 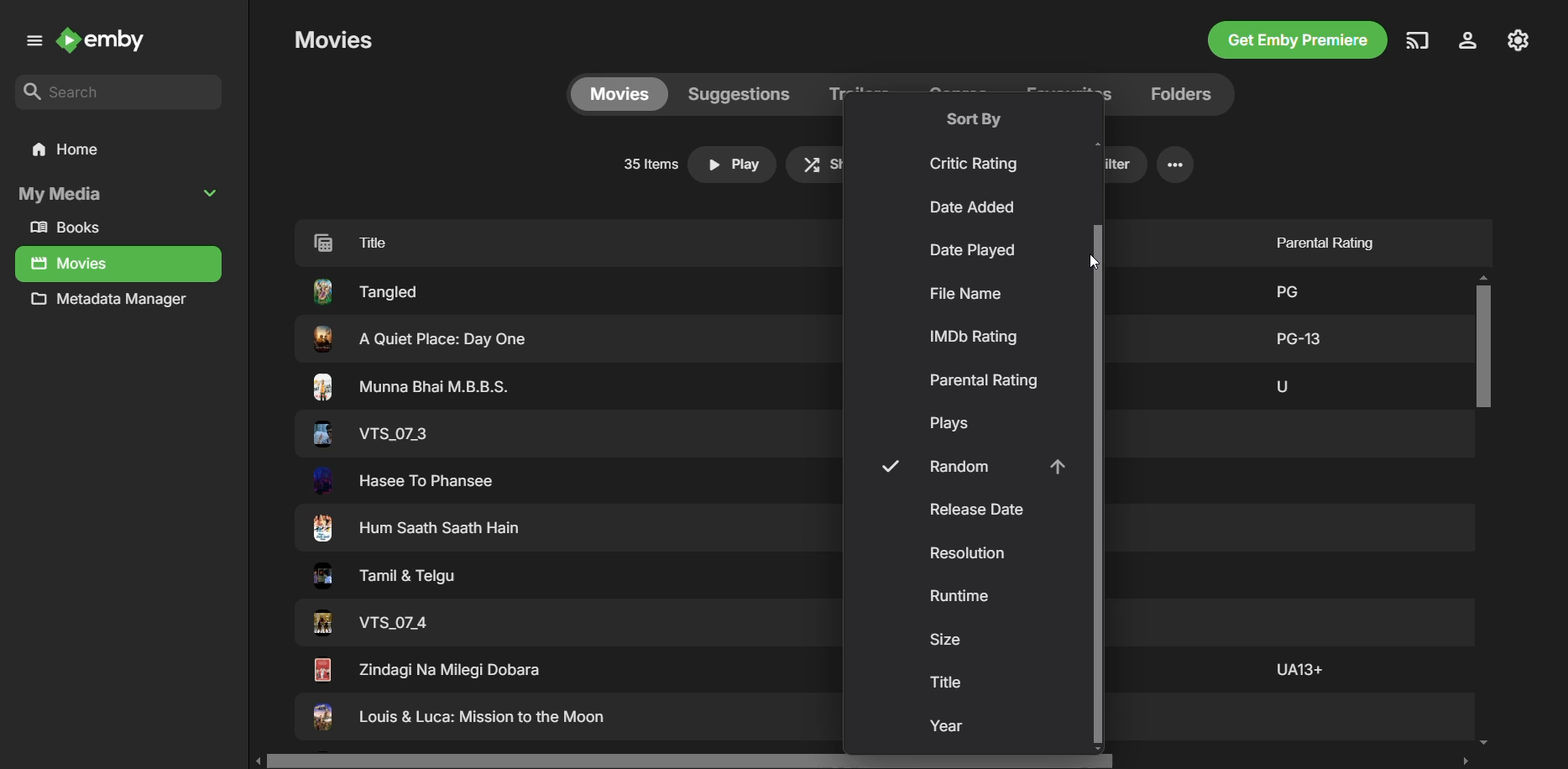 What do you see at coordinates (647, 165) in the screenshot?
I see `Number of items` at bounding box center [647, 165].